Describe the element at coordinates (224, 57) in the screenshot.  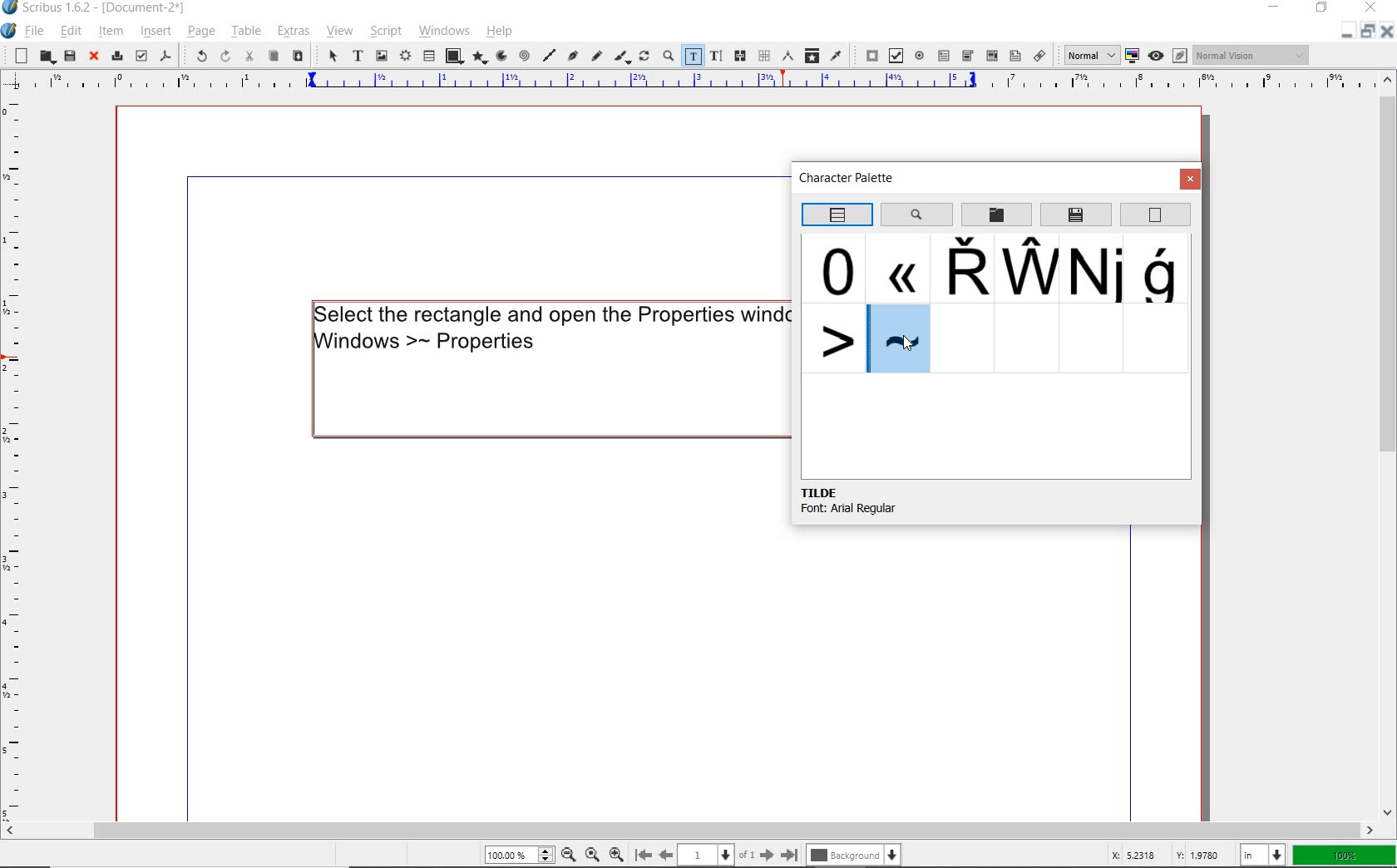
I see `redo` at that location.